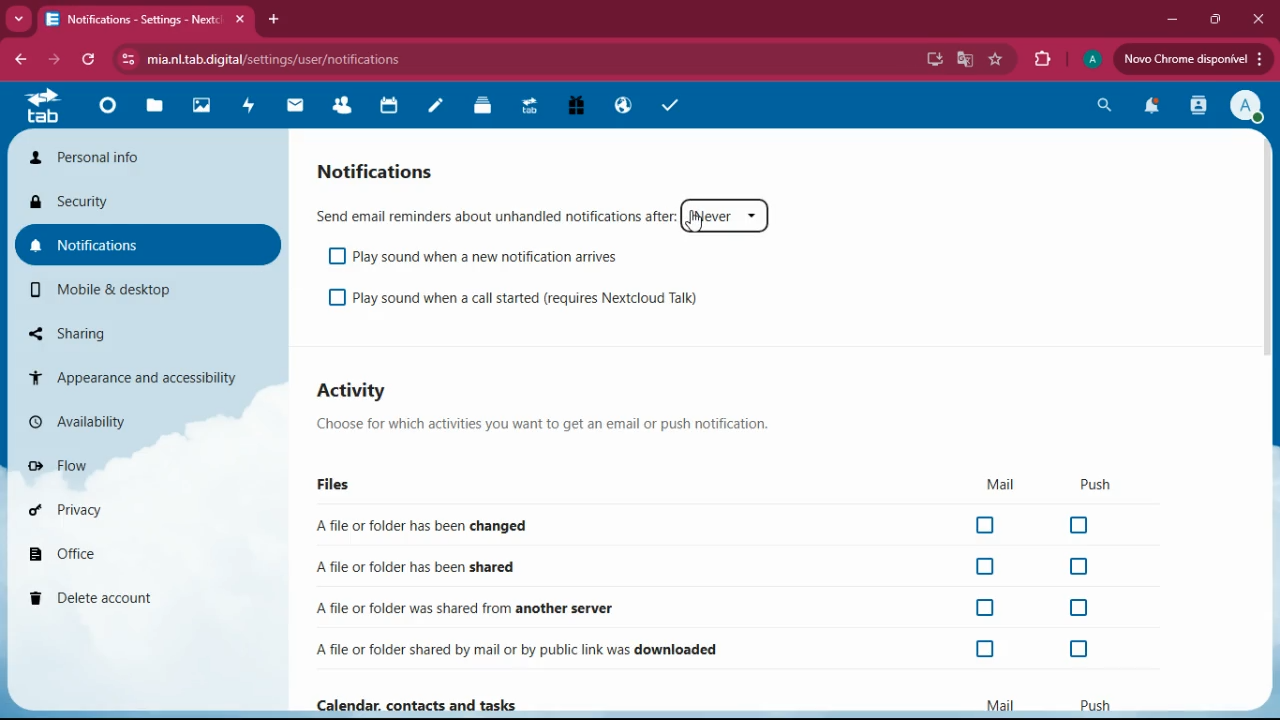  I want to click on never, so click(726, 218).